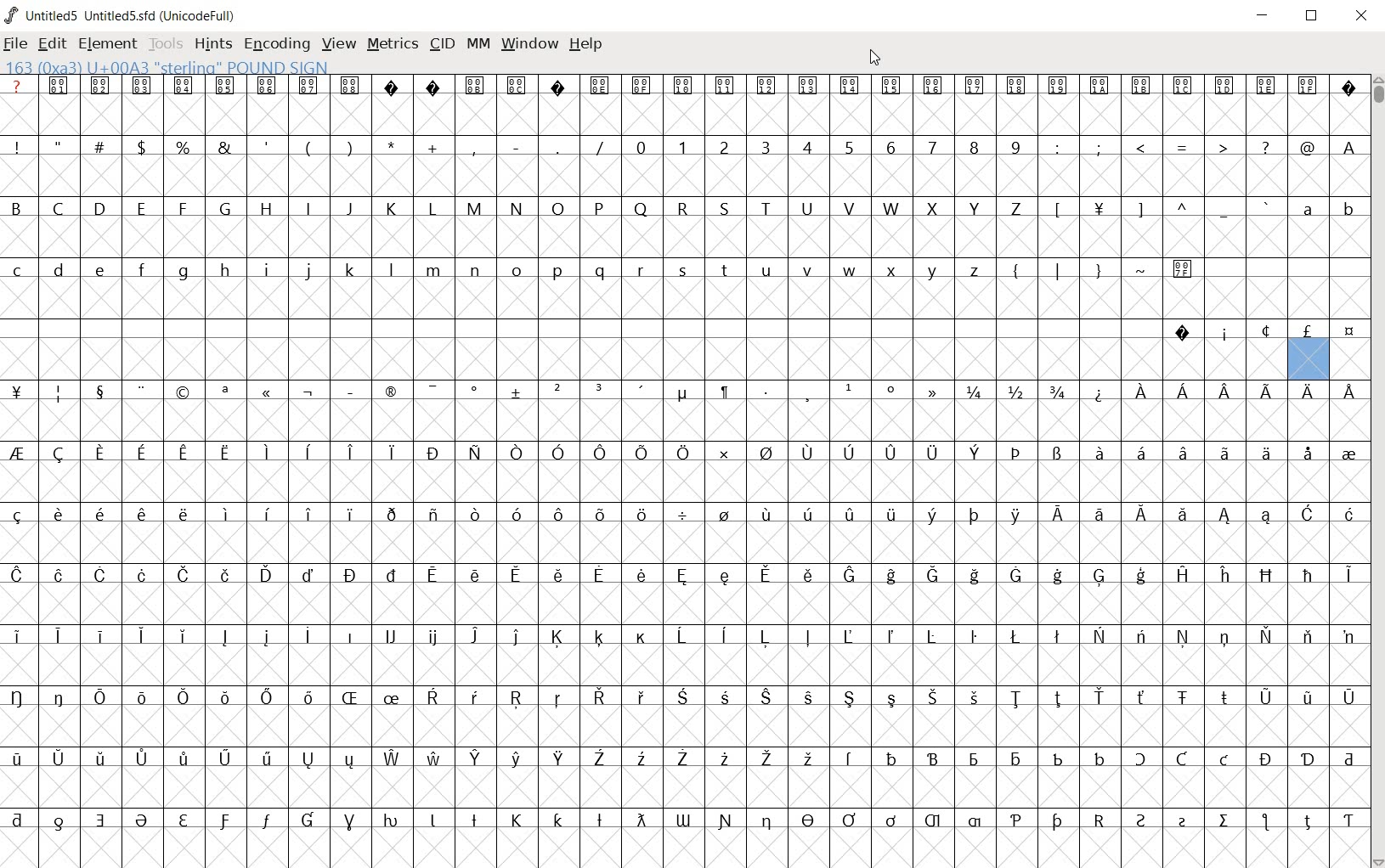  What do you see at coordinates (681, 699) in the screenshot?
I see `Symbol` at bounding box center [681, 699].